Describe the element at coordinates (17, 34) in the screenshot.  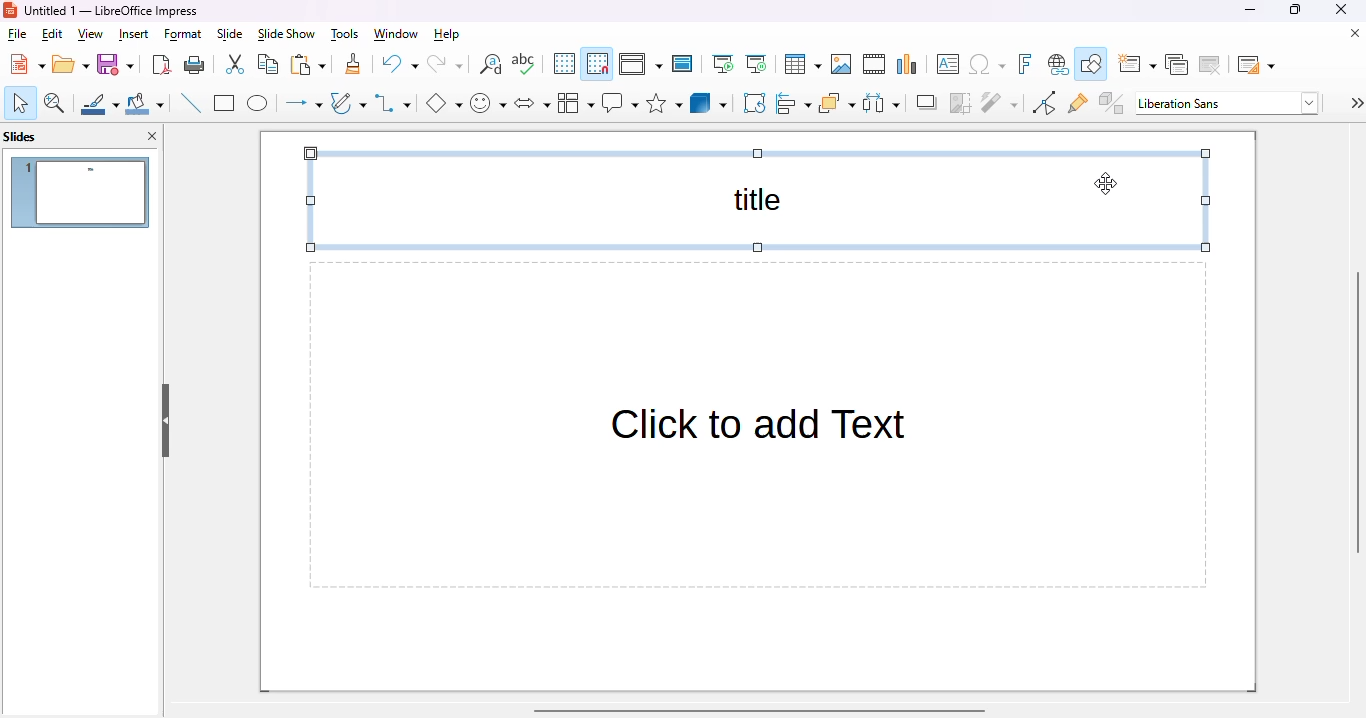
I see `file` at that location.